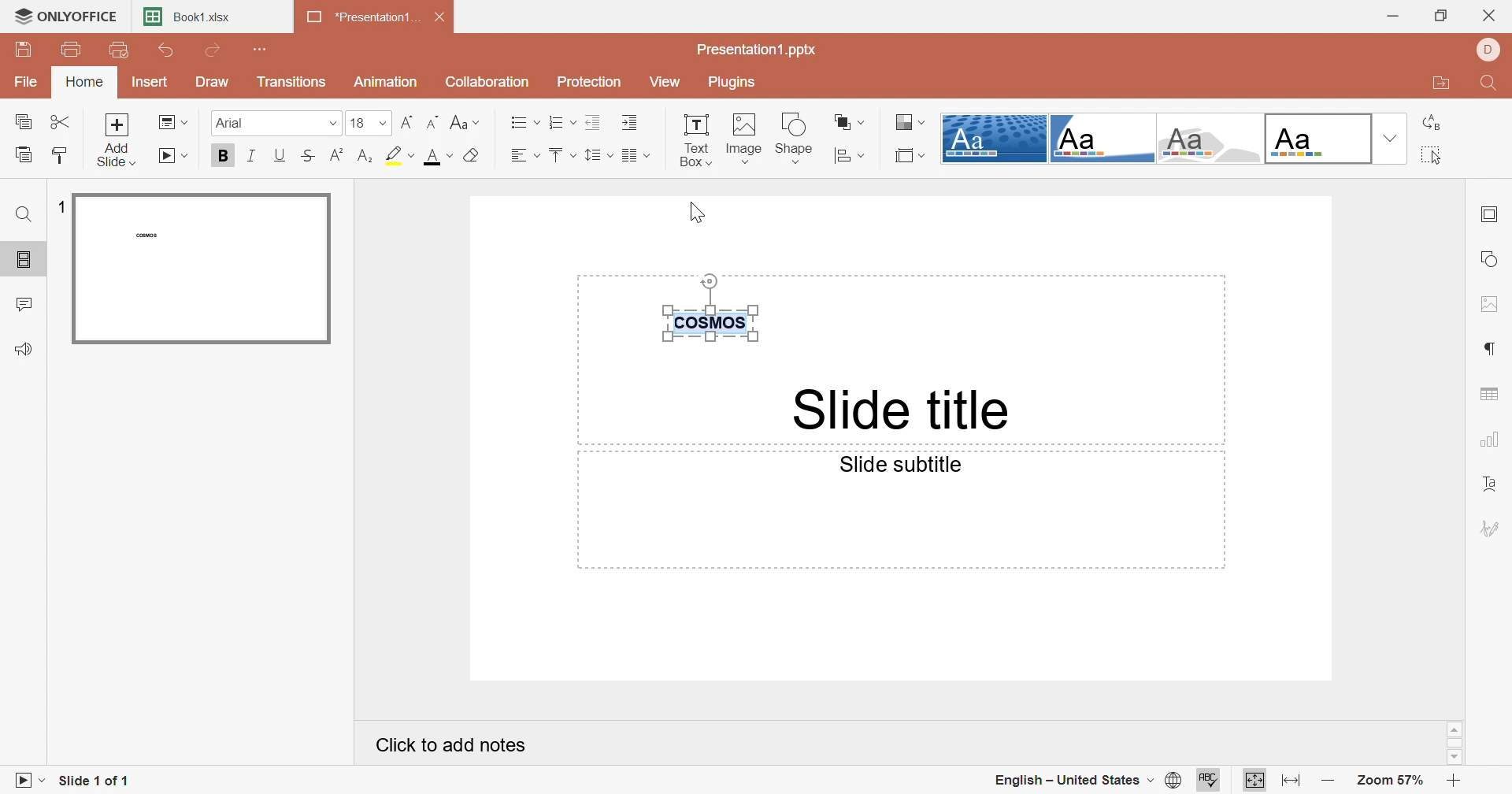  I want to click on Open file location, so click(1437, 88).